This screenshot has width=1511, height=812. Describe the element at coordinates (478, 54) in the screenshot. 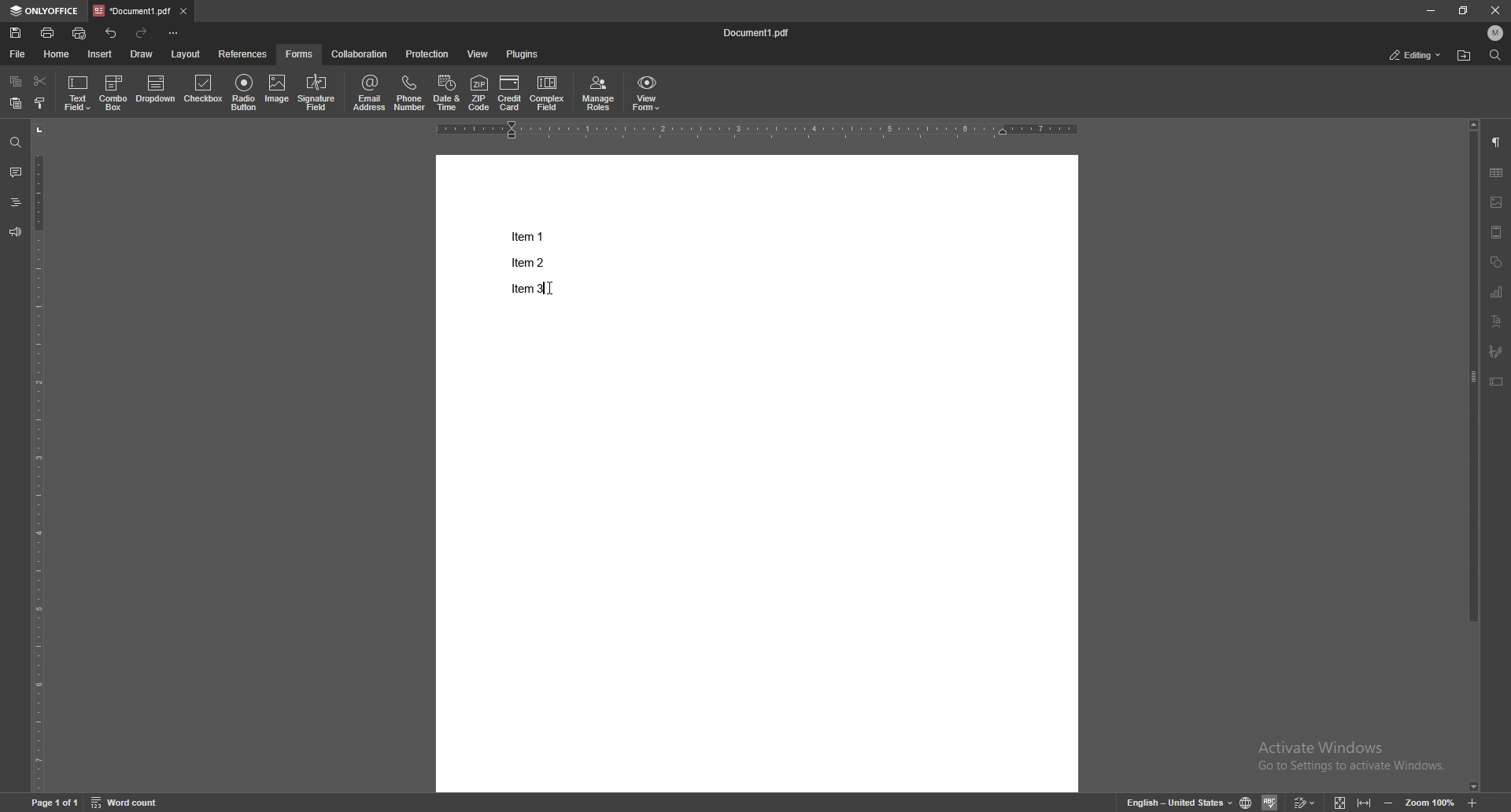

I see `view` at that location.